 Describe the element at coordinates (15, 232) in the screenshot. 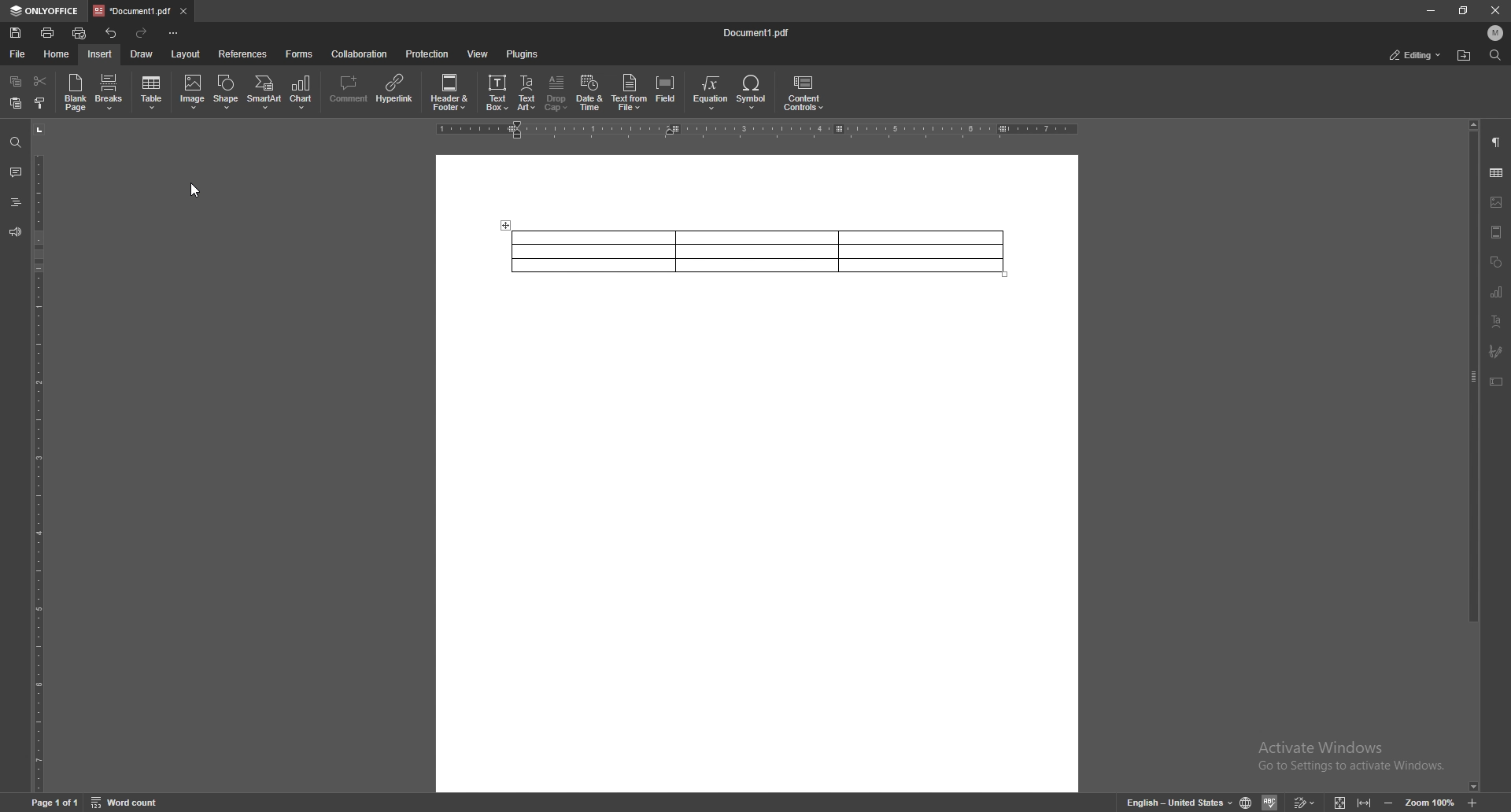

I see `feedback` at that location.